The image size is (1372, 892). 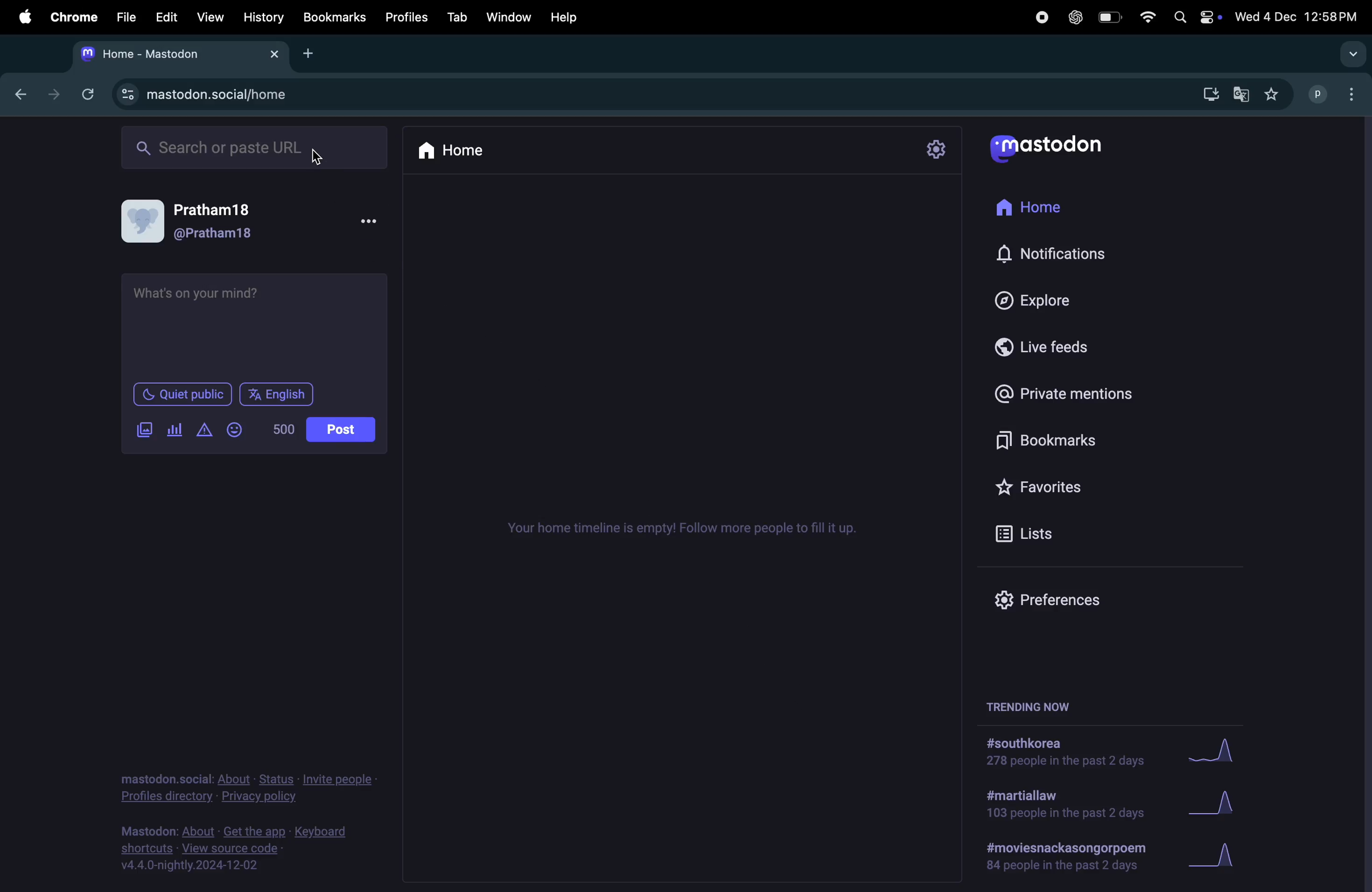 What do you see at coordinates (1333, 94) in the screenshot?
I see `user profiles` at bounding box center [1333, 94].